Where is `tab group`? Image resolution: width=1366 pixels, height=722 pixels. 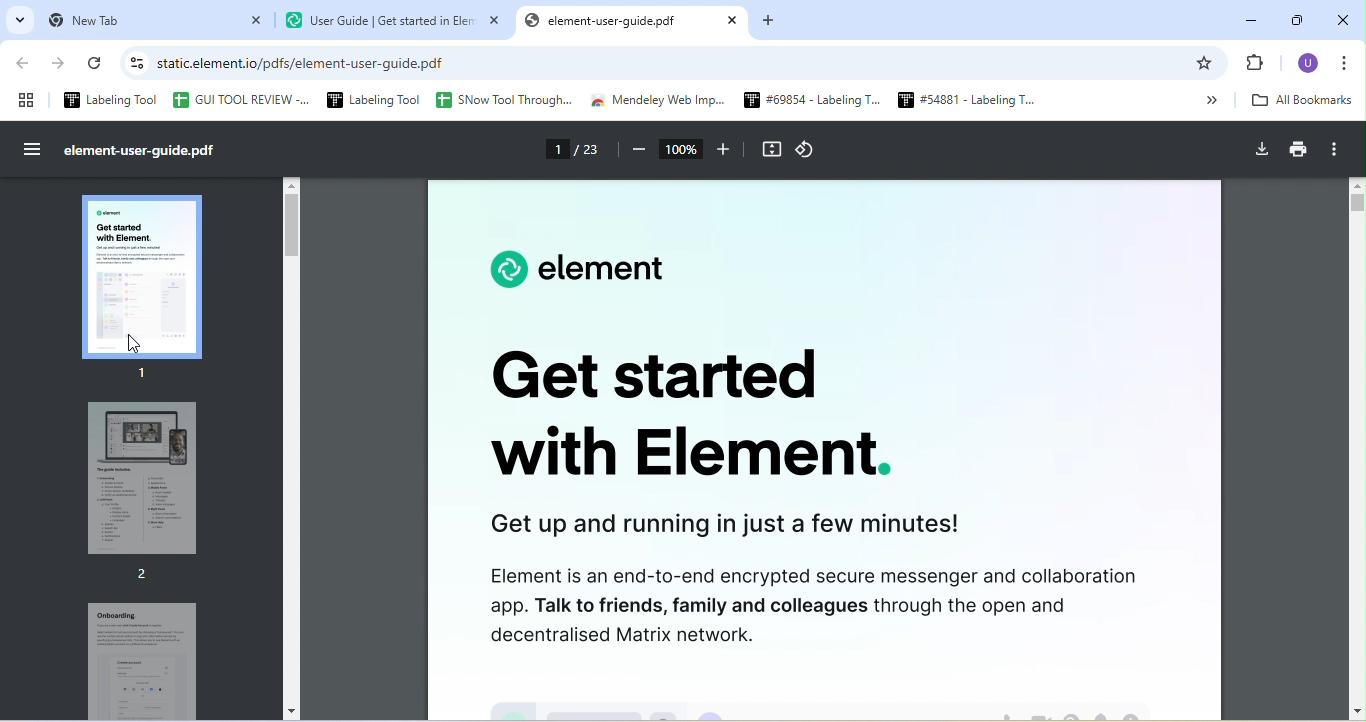 tab group is located at coordinates (27, 100).